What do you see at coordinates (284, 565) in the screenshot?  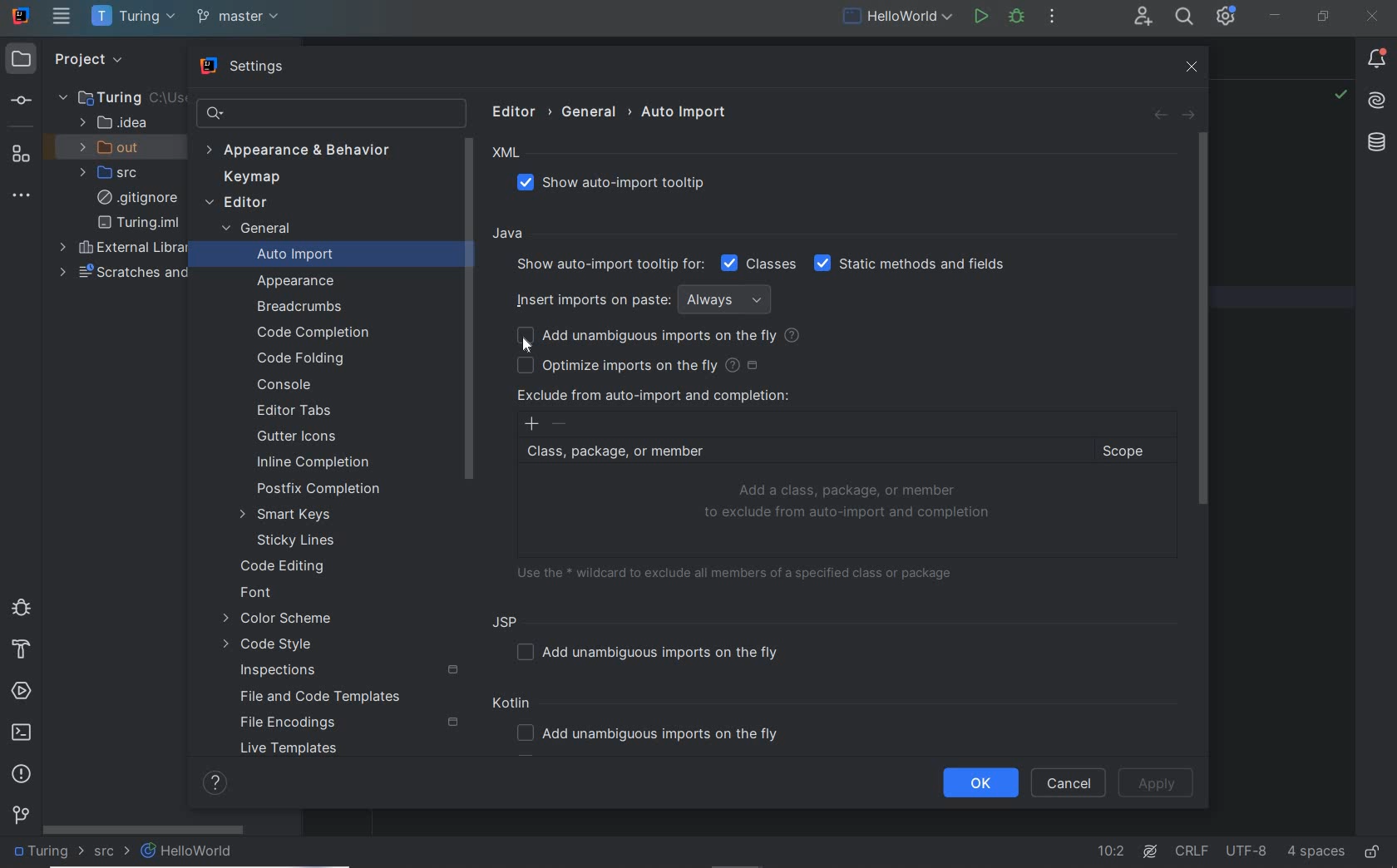 I see `CODE EDITING` at bounding box center [284, 565].